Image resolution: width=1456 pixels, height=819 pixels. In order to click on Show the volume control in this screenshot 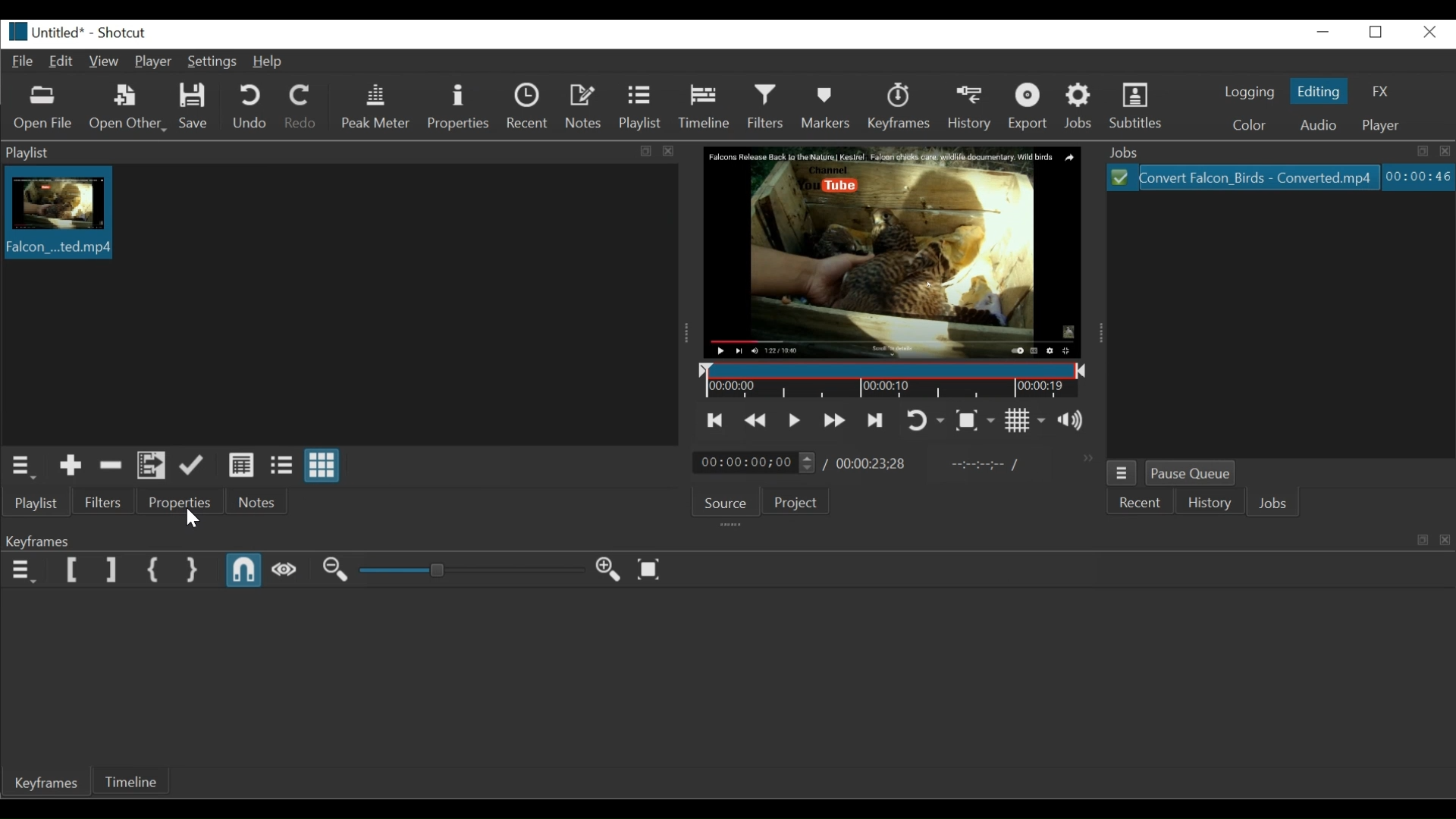, I will do `click(1073, 421)`.